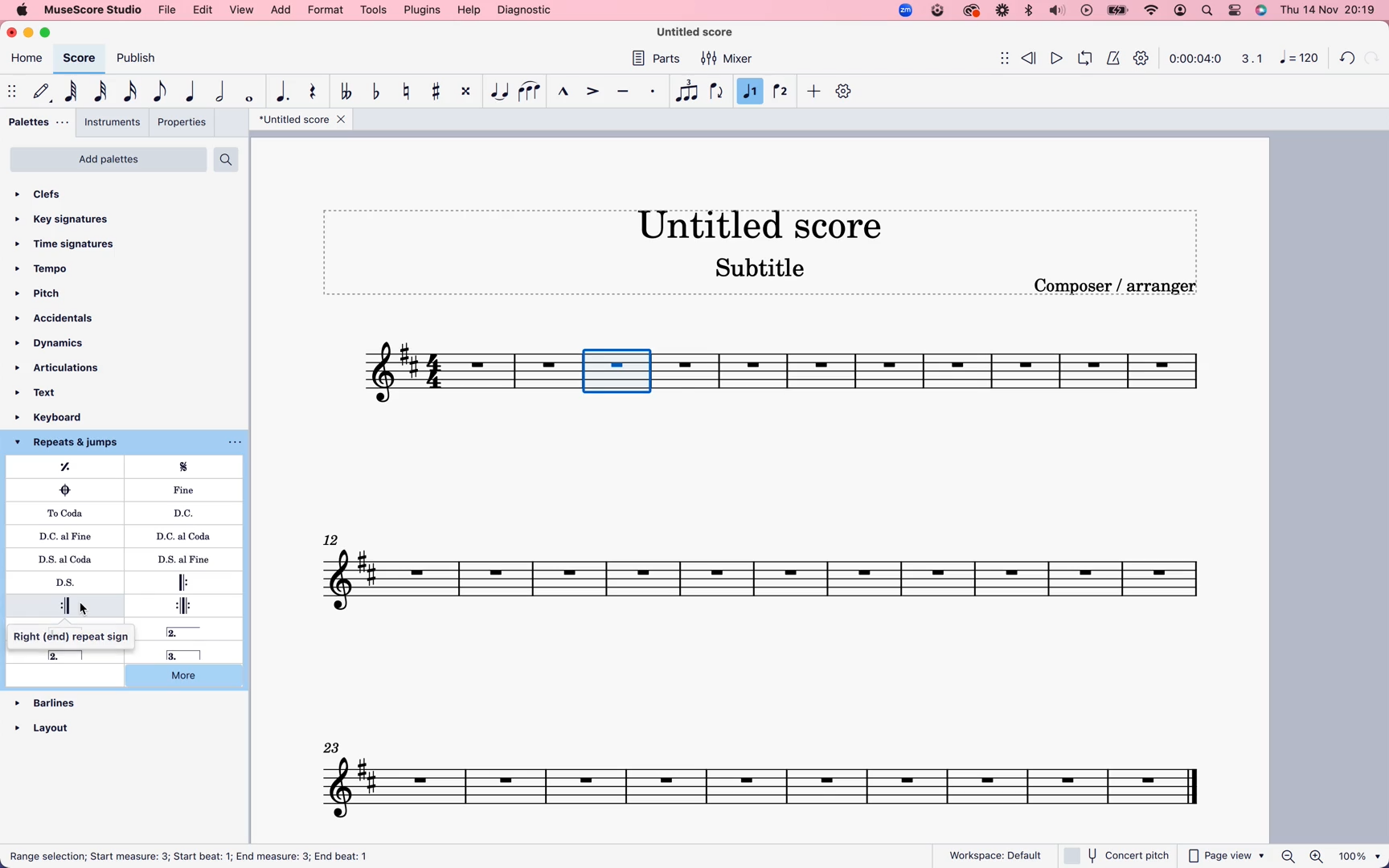 This screenshot has width=1389, height=868. What do you see at coordinates (74, 91) in the screenshot?
I see `64th note` at bounding box center [74, 91].